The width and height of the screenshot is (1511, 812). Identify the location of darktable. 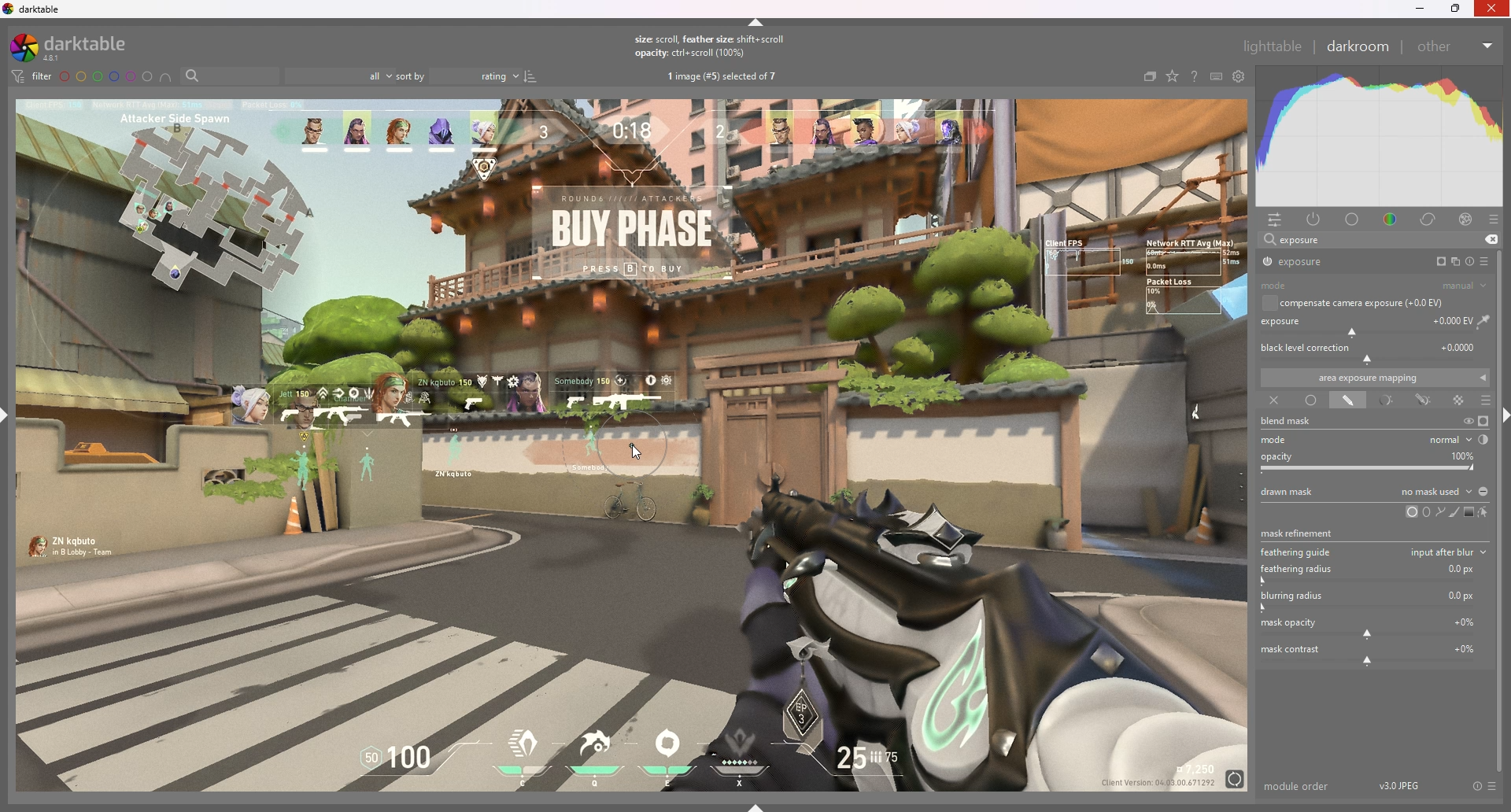
(35, 9).